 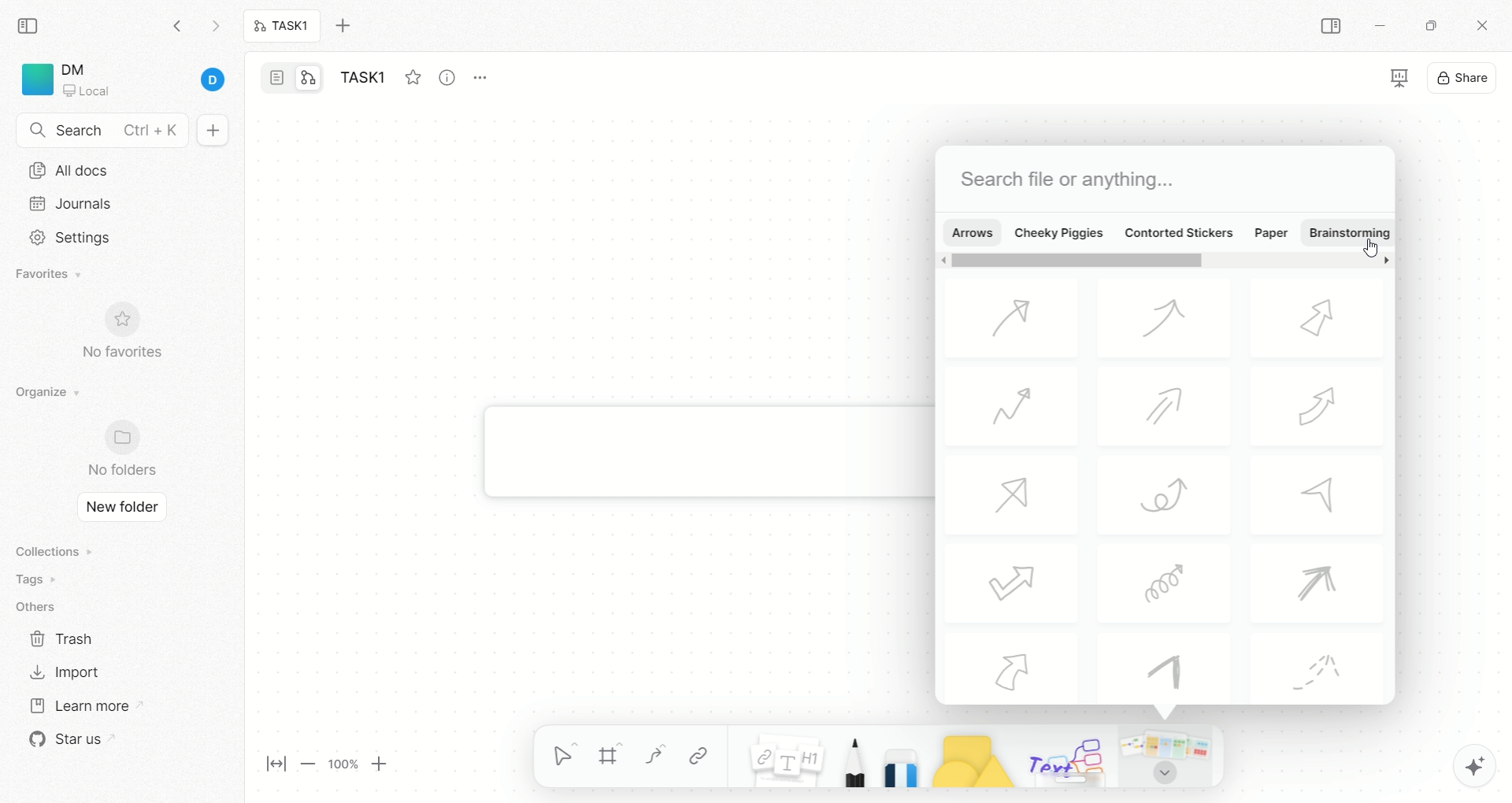 I want to click on star us, so click(x=67, y=739).